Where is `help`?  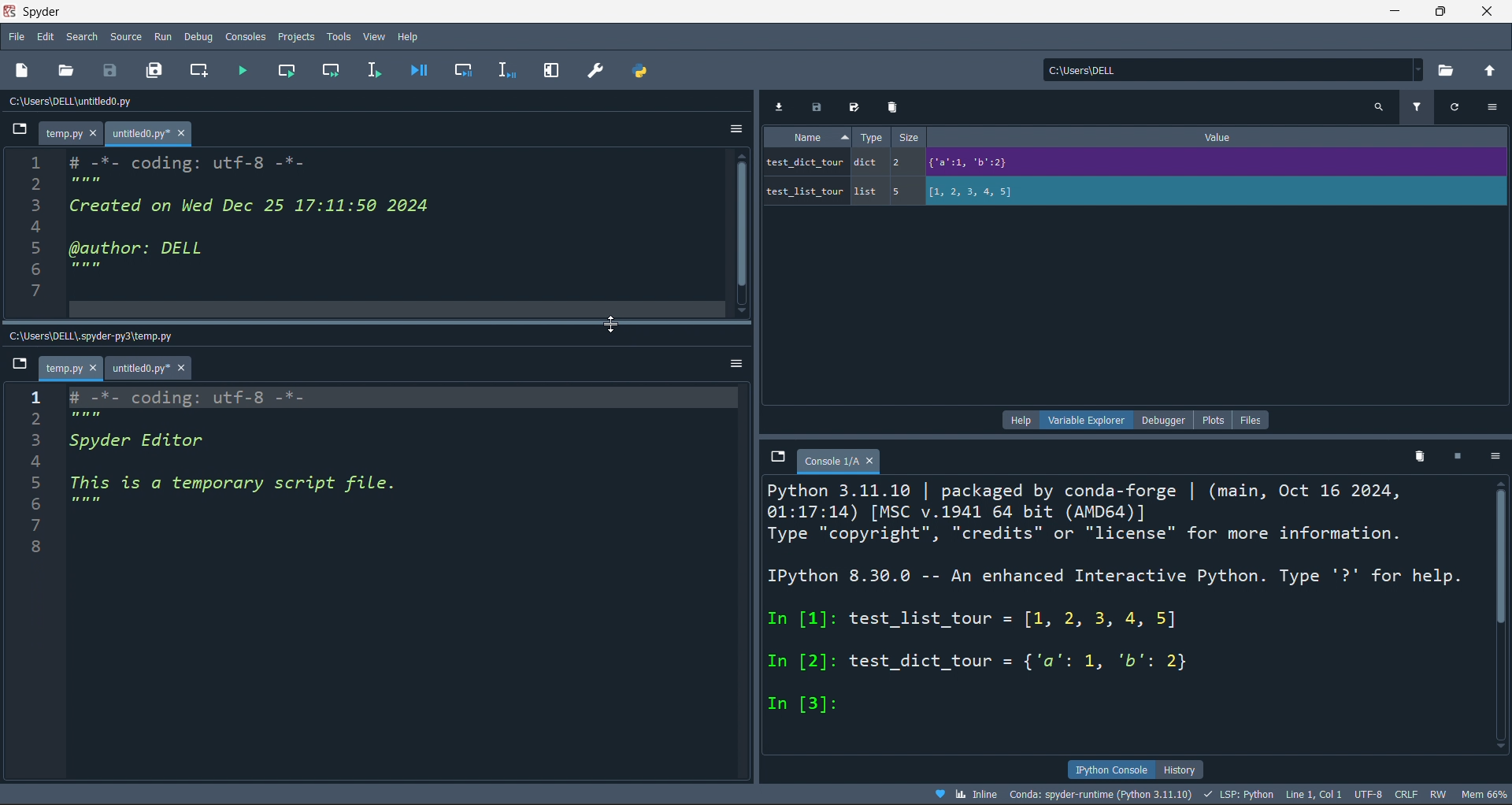 help is located at coordinates (409, 36).